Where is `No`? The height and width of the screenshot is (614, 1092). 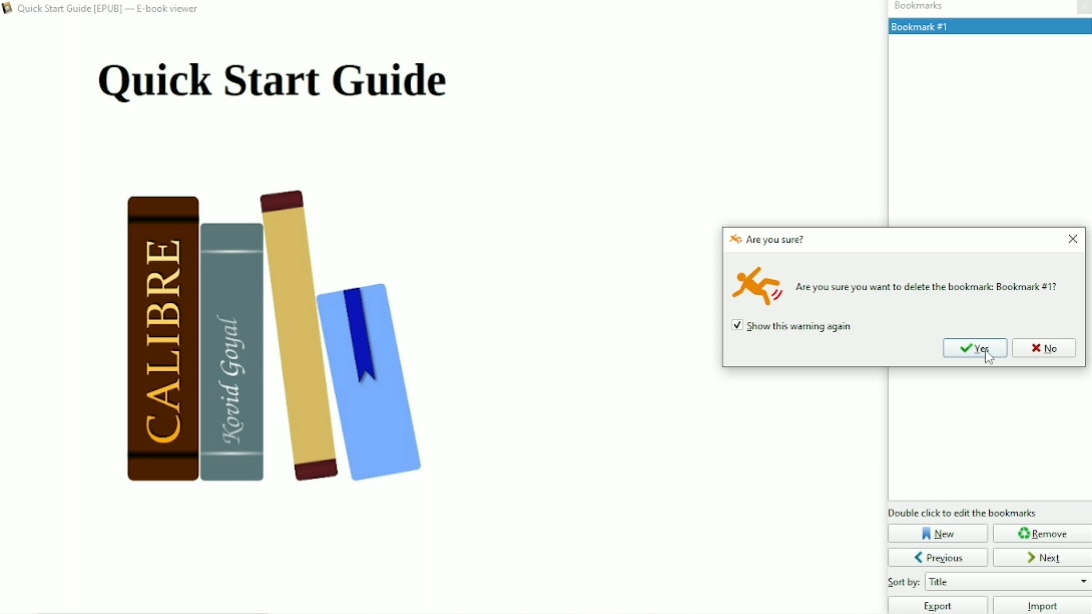 No is located at coordinates (1046, 347).